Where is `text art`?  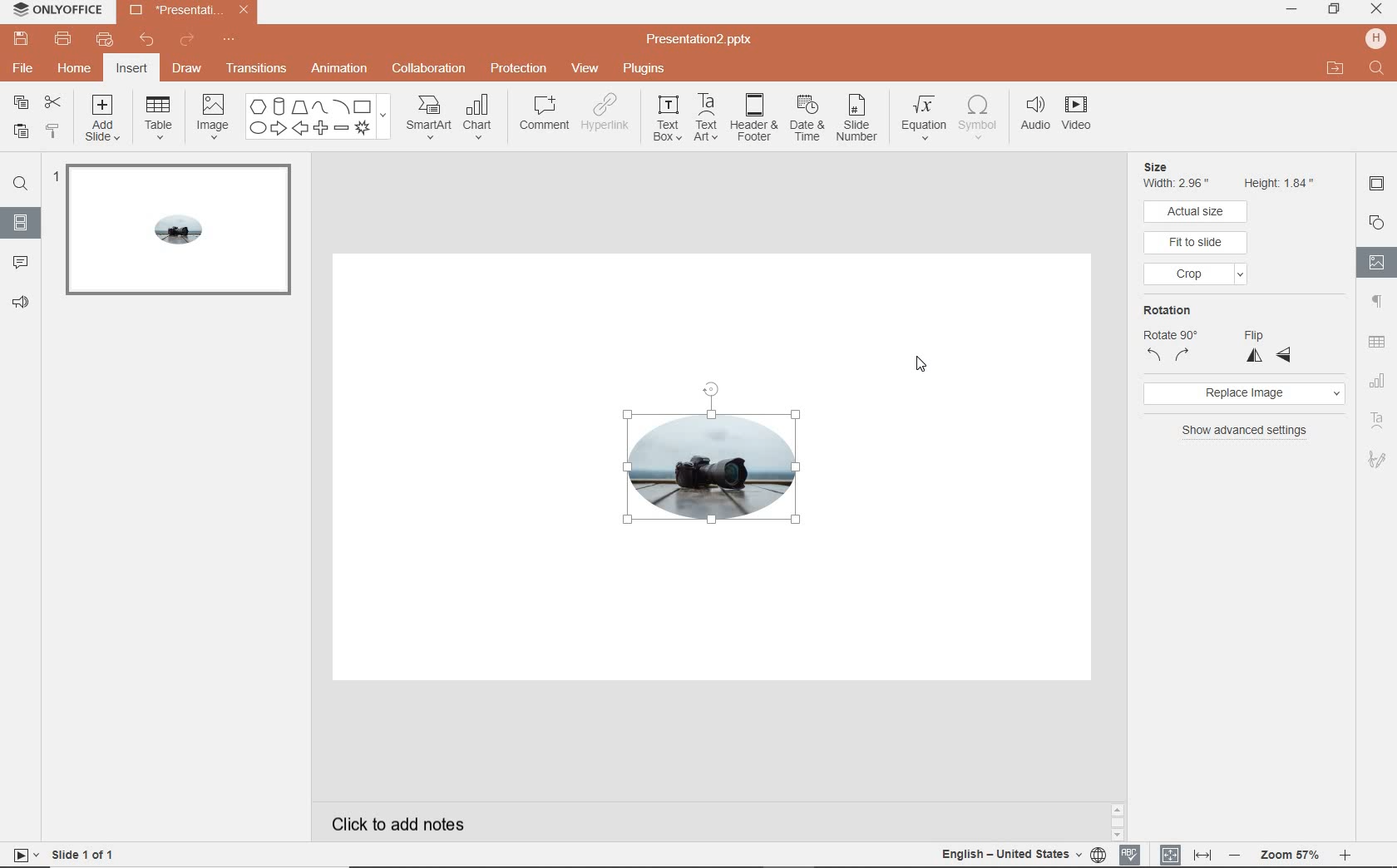
text art is located at coordinates (1377, 421).